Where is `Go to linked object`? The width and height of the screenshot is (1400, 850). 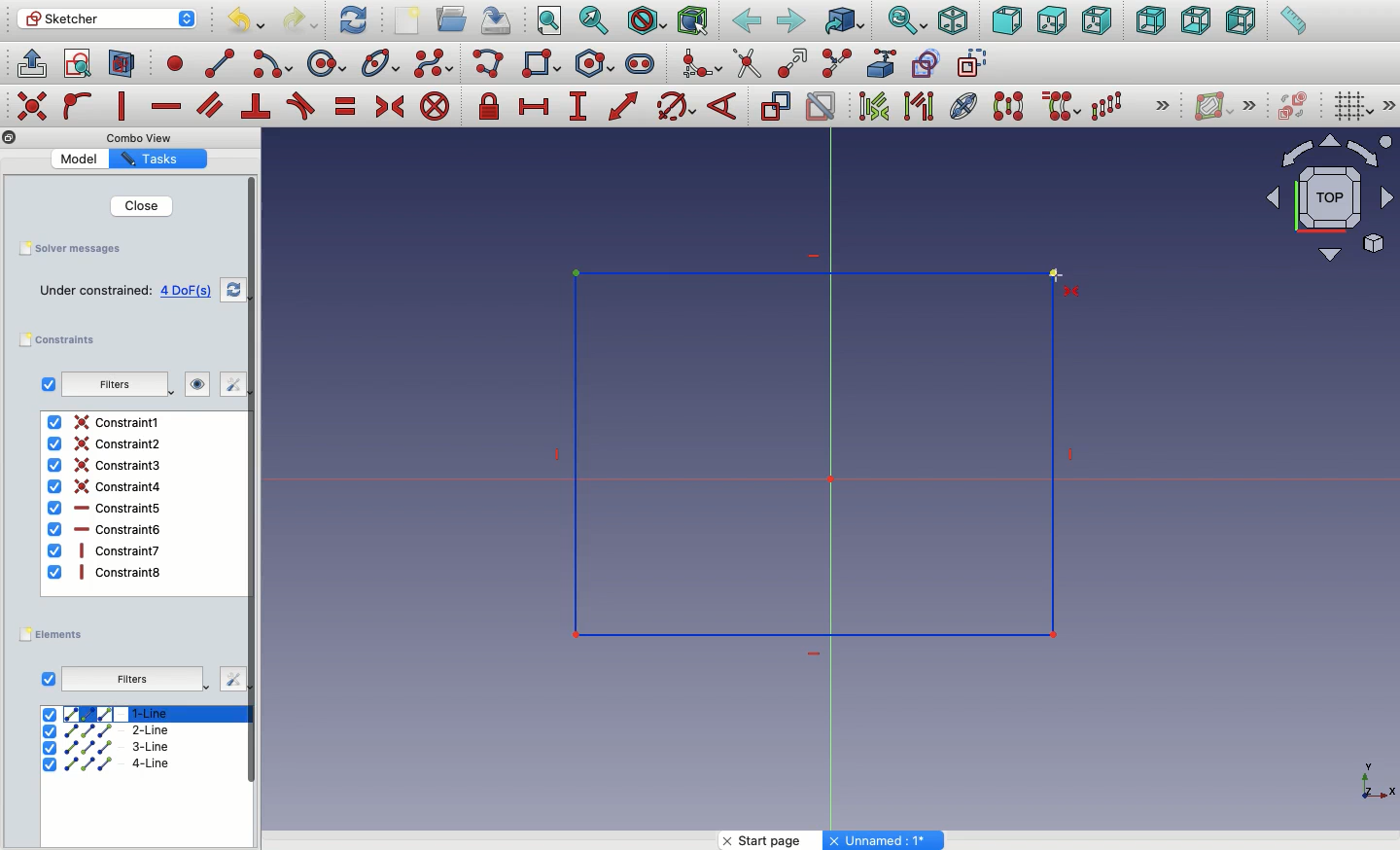 Go to linked object is located at coordinates (845, 22).